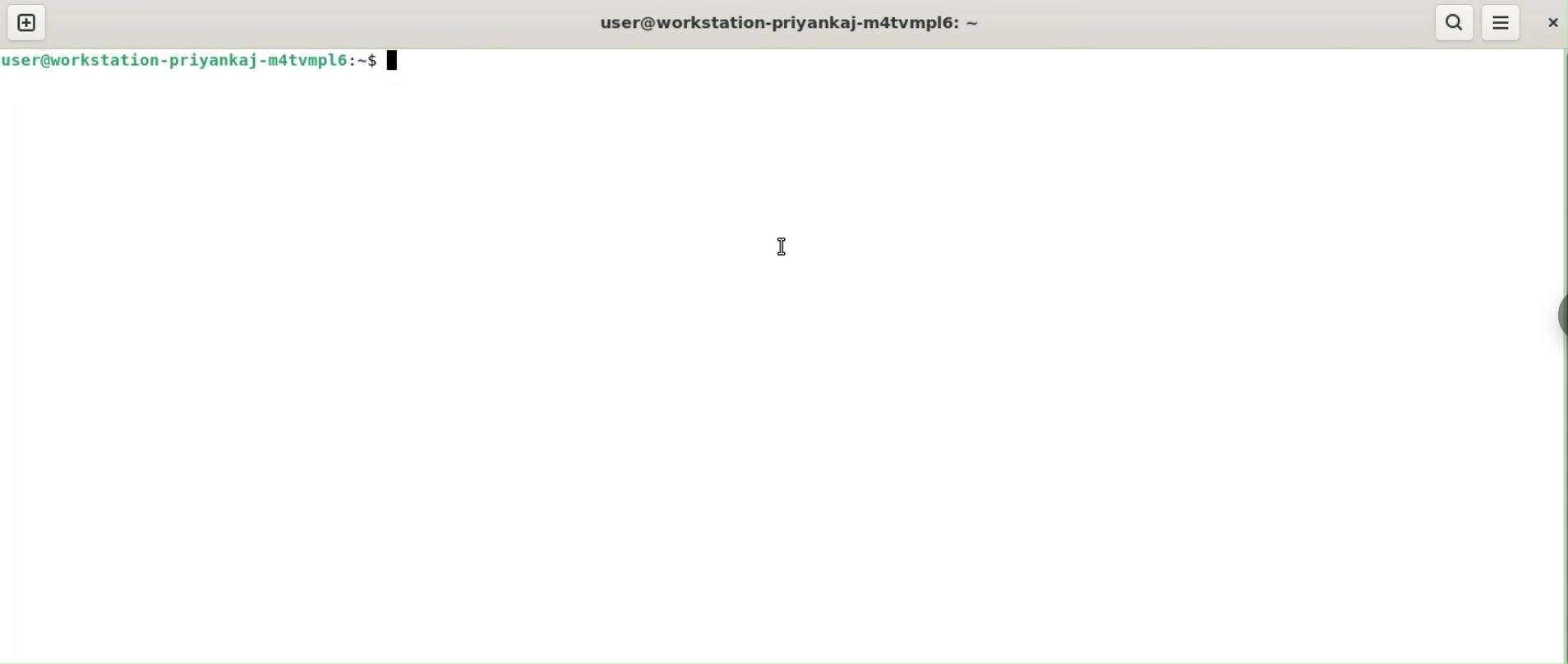  I want to click on menu, so click(1503, 22).